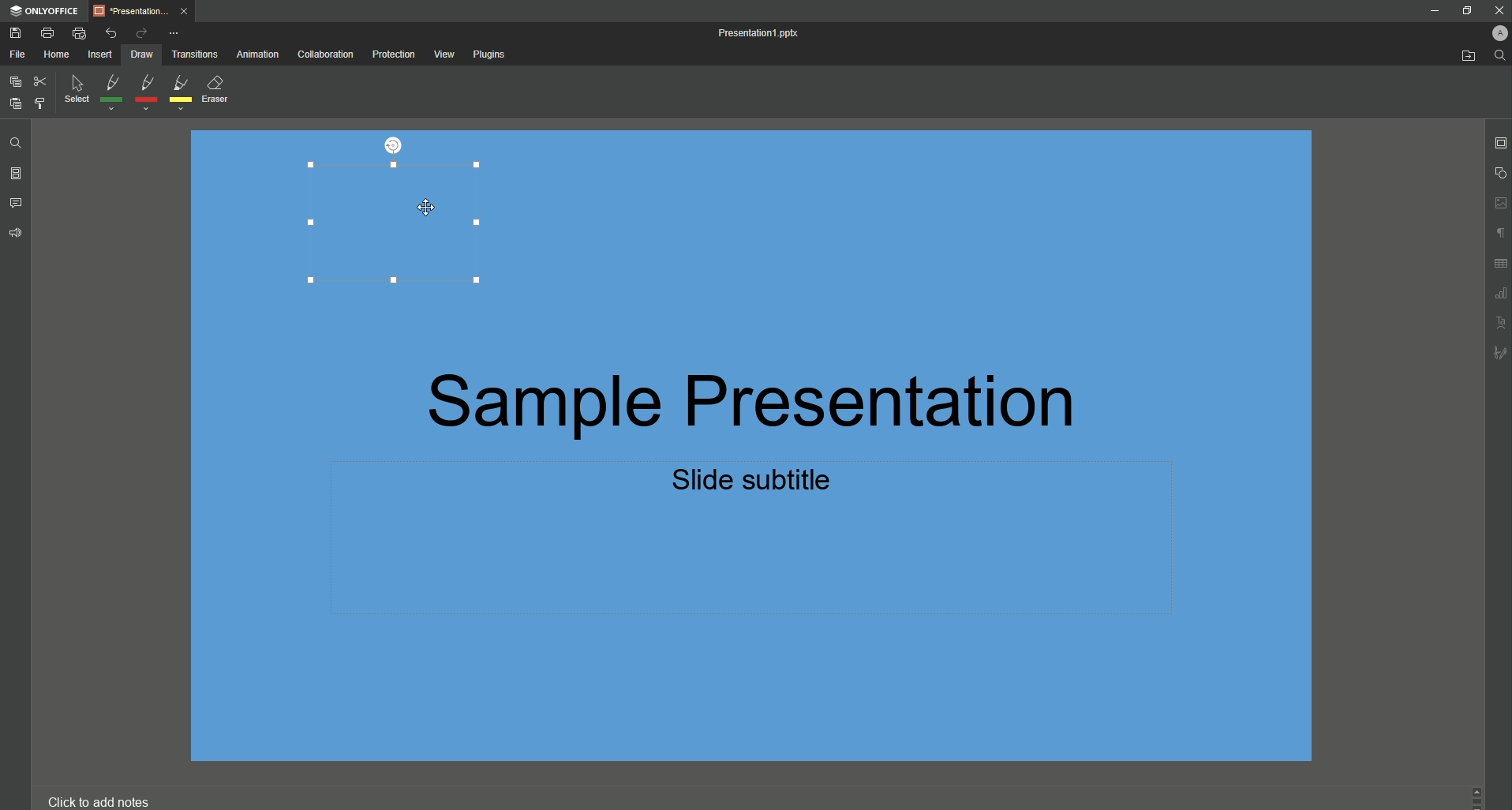 Image resolution: width=1512 pixels, height=810 pixels. Describe the element at coordinates (13, 82) in the screenshot. I see `Copy` at that location.